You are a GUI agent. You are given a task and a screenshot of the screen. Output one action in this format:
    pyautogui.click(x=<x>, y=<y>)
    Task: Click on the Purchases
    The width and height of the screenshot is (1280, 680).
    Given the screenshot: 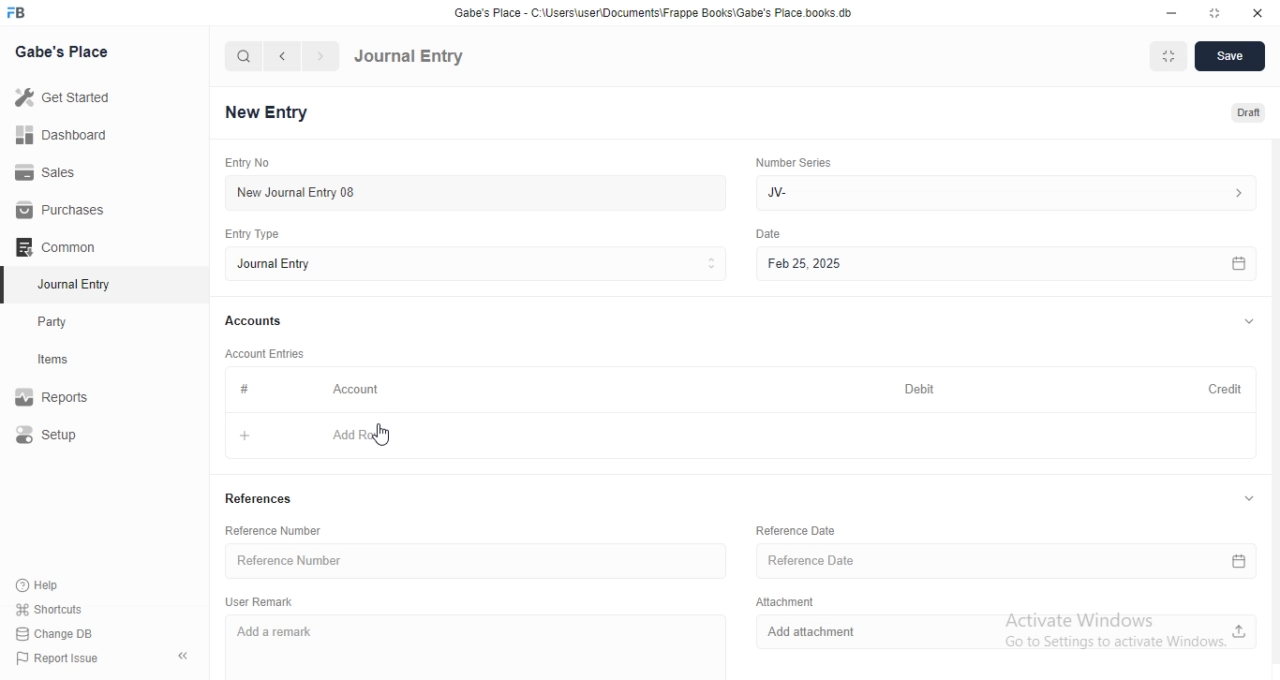 What is the action you would take?
    pyautogui.click(x=58, y=210)
    